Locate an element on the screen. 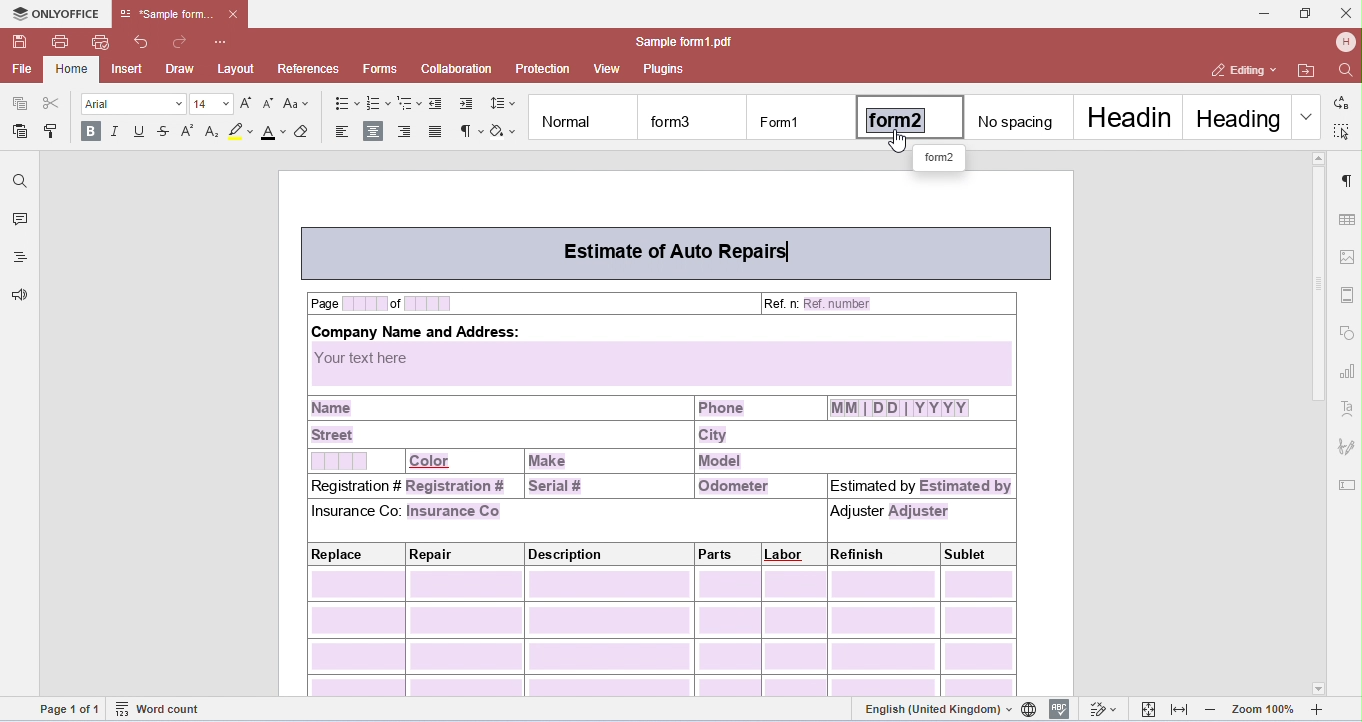 Image resolution: width=1362 pixels, height=722 pixels. feedback and support is located at coordinates (21, 296).